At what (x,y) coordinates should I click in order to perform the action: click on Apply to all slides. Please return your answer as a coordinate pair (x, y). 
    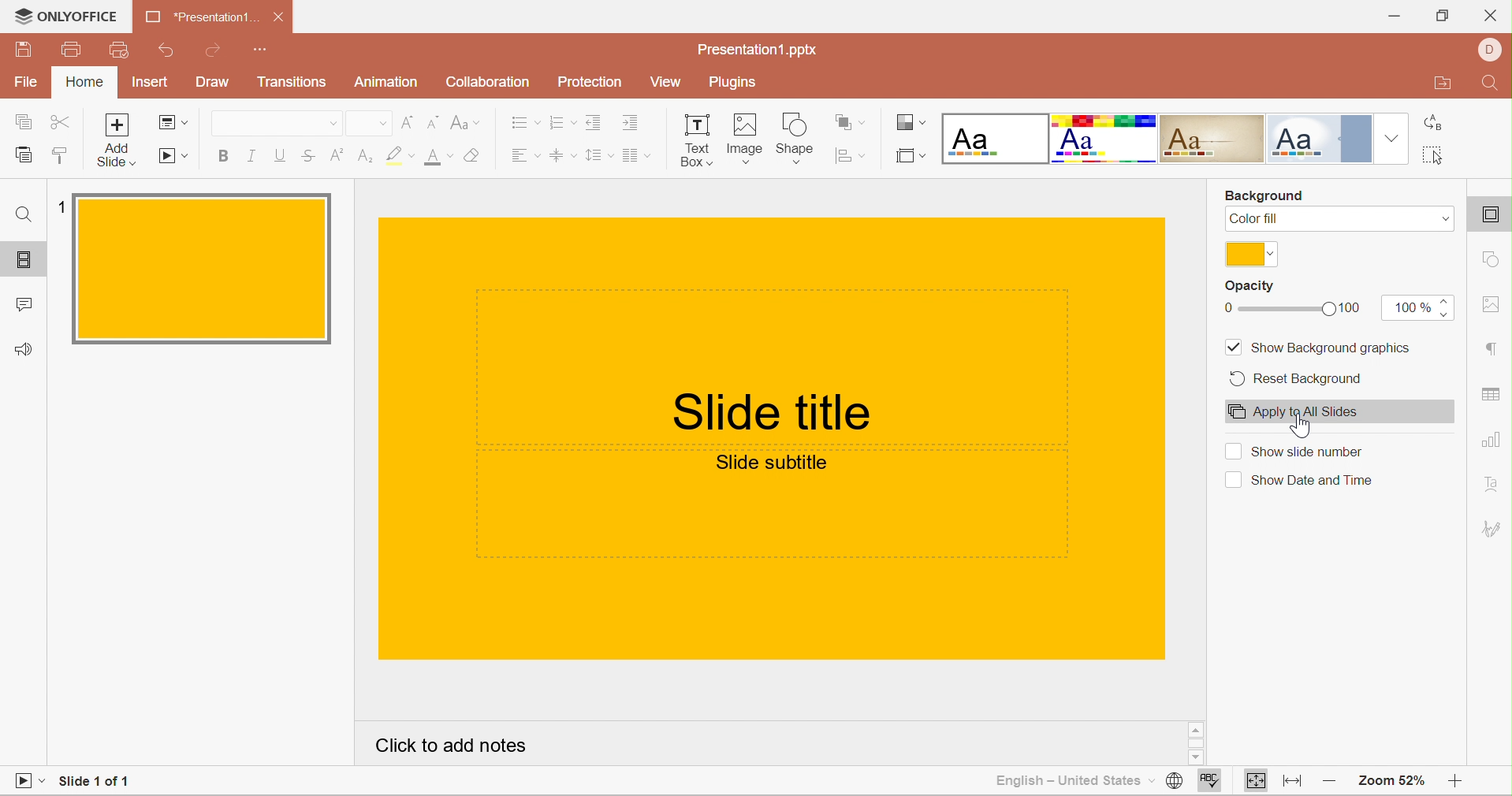
    Looking at the image, I should click on (1340, 412).